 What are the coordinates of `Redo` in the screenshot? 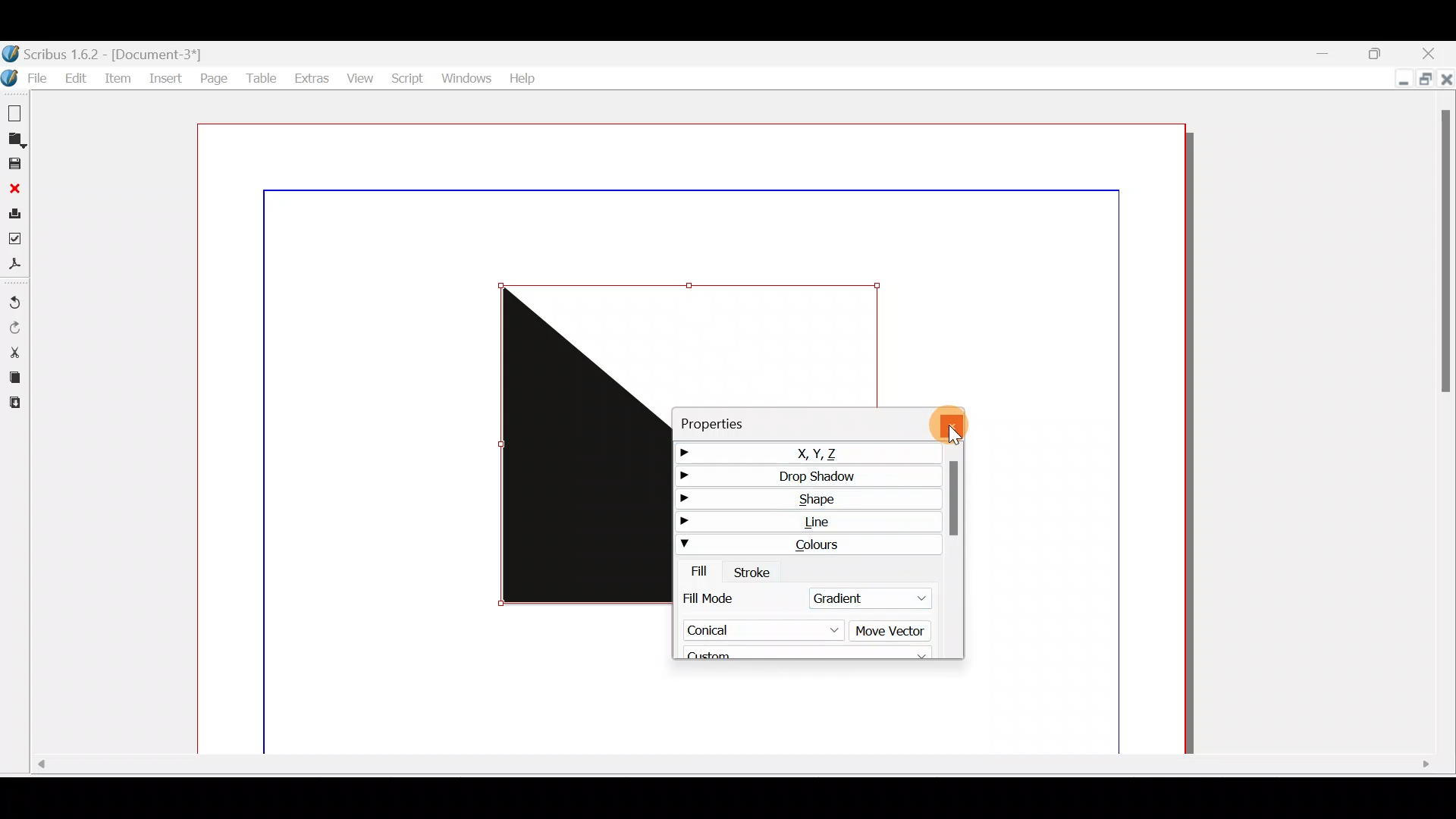 It's located at (17, 328).